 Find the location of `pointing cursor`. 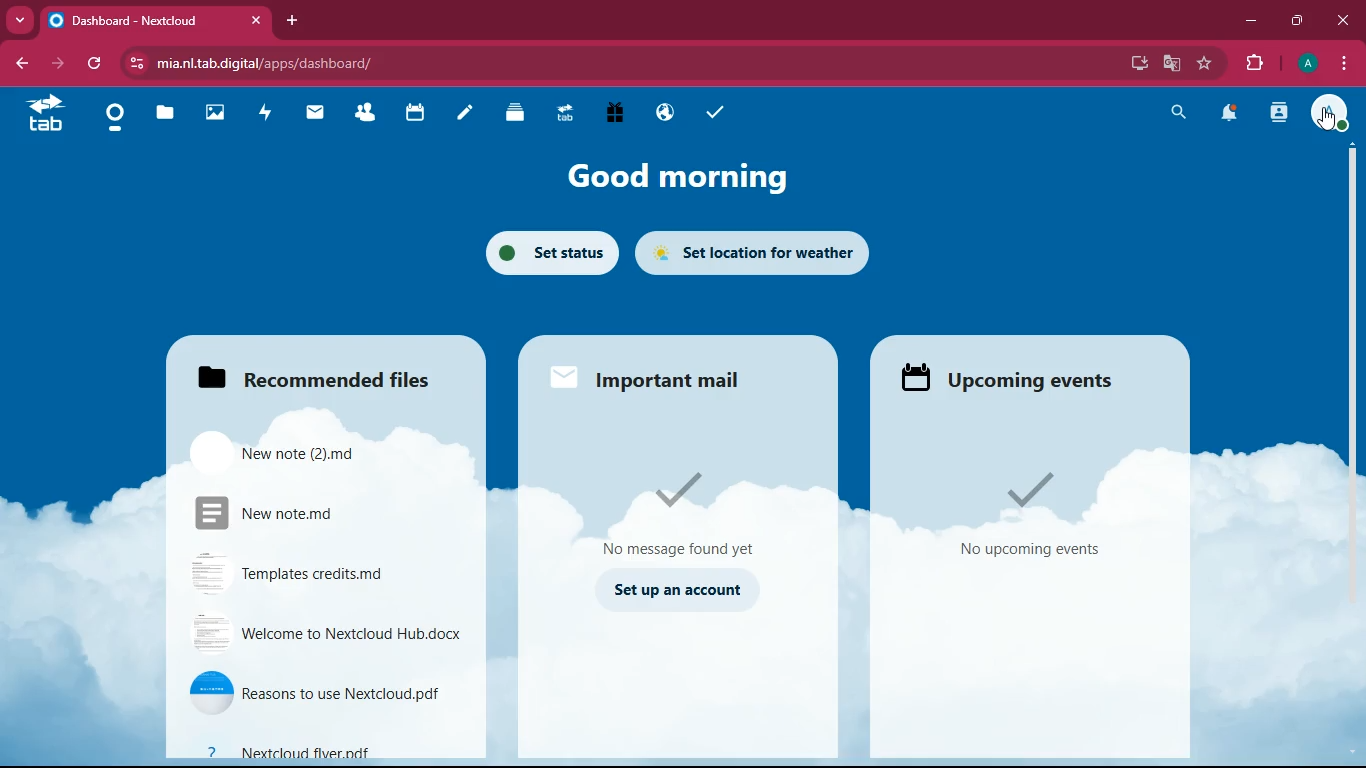

pointing cursor is located at coordinates (1327, 118).